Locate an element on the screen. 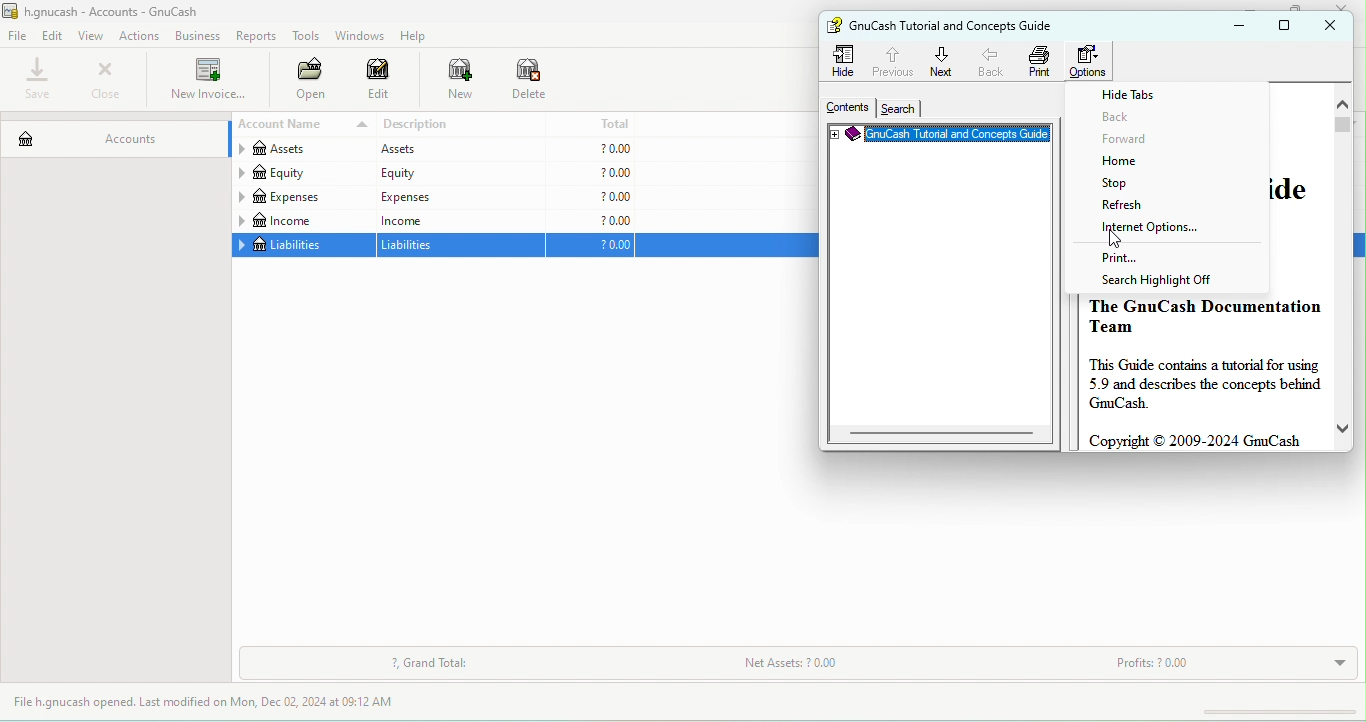 The width and height of the screenshot is (1366, 722). ?0.00 is located at coordinates (590, 220).